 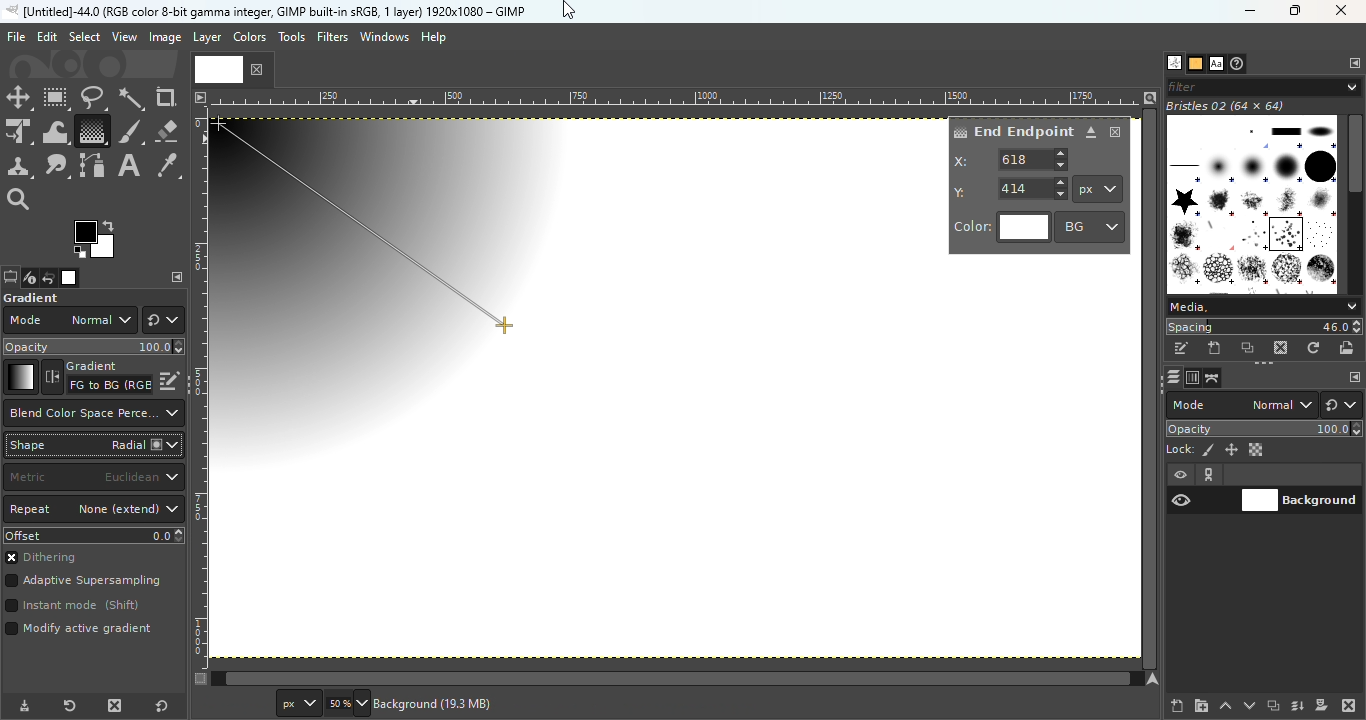 What do you see at coordinates (1150, 97) in the screenshot?
I see `Zoom image when window size changes` at bounding box center [1150, 97].